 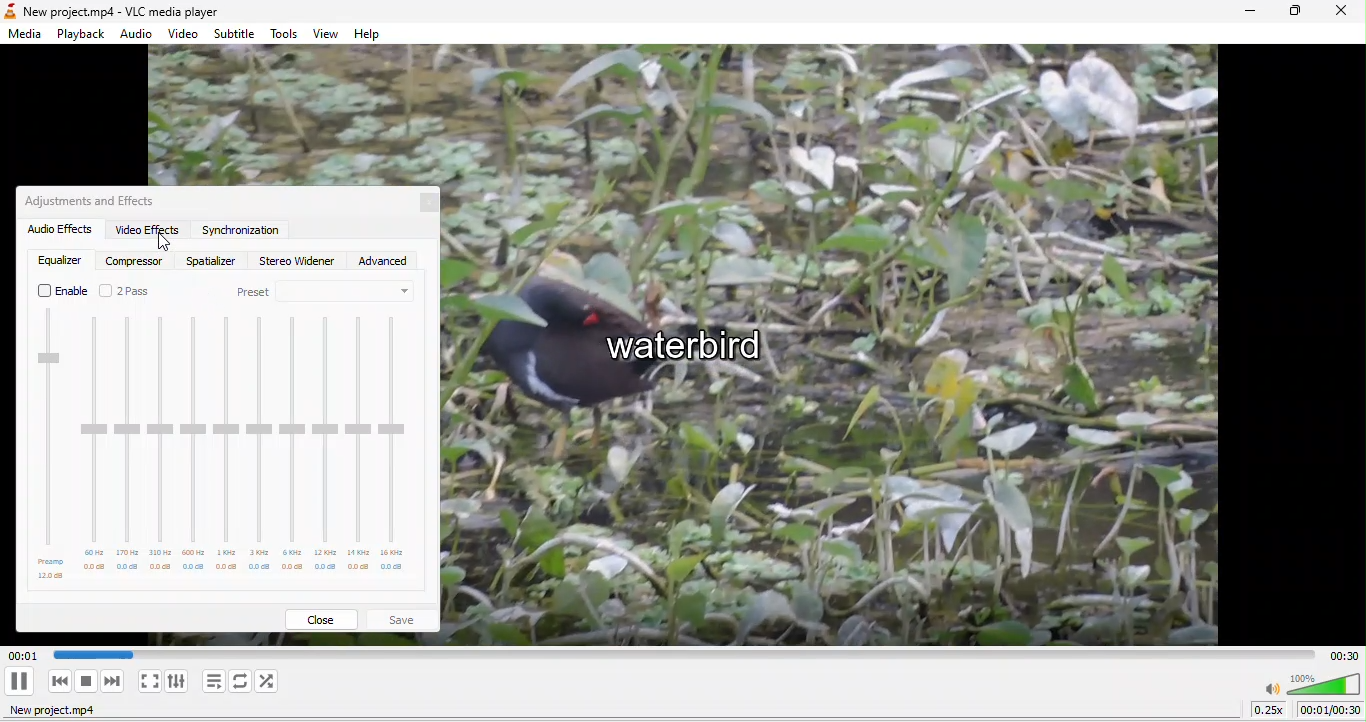 I want to click on minimize, so click(x=1241, y=12).